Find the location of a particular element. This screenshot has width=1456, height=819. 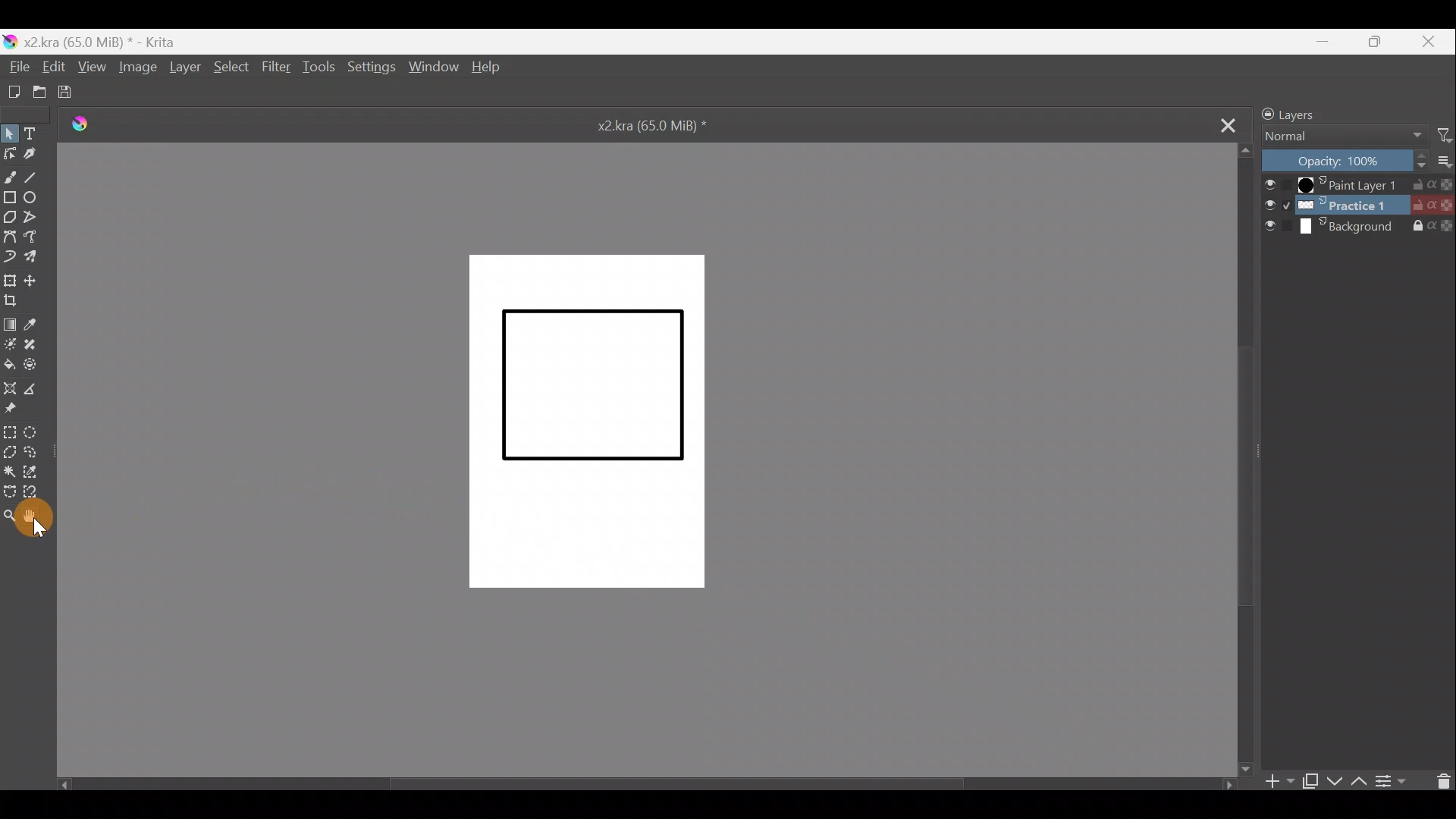

Polyline tool is located at coordinates (36, 218).